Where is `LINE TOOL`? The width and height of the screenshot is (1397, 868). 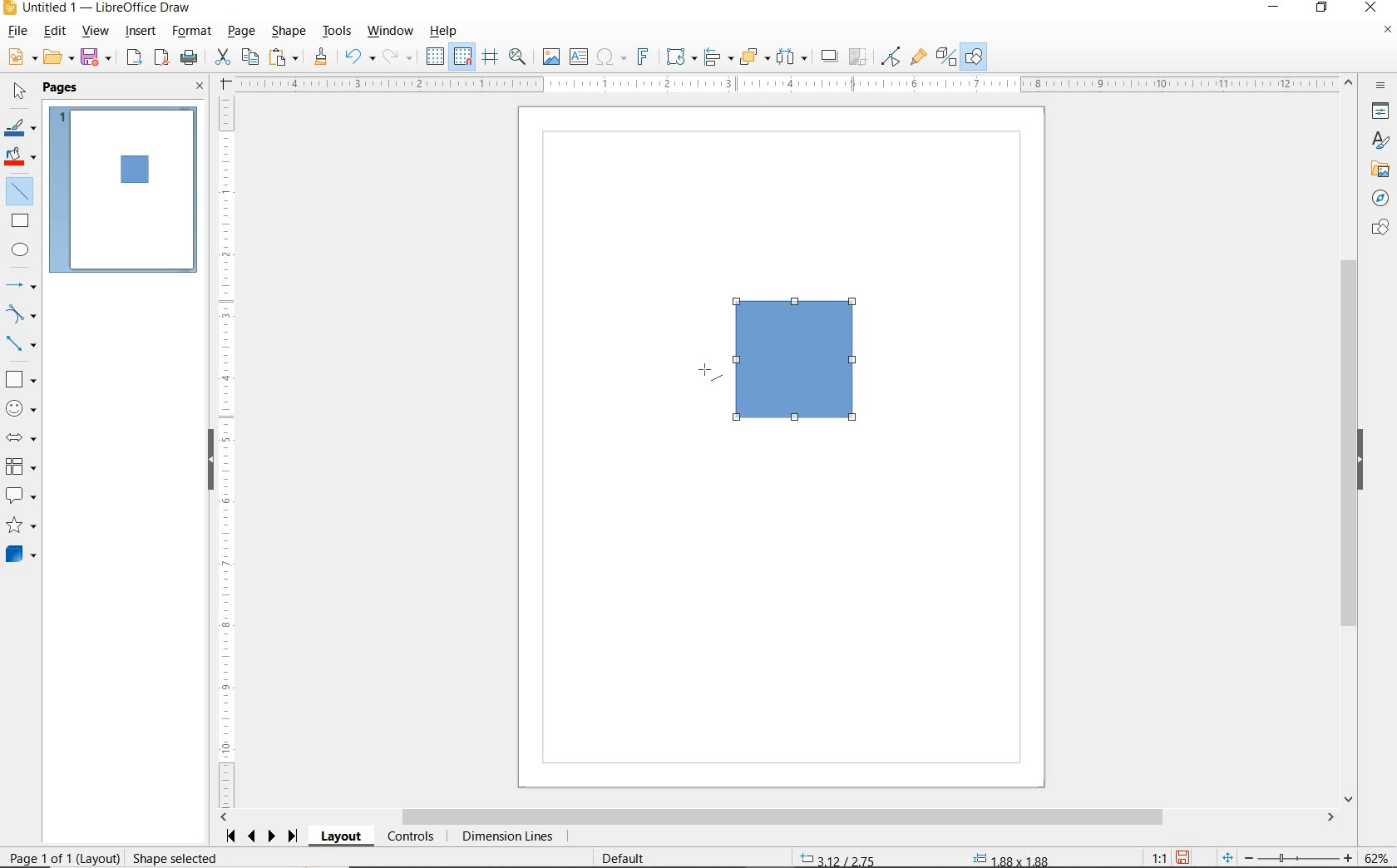
LINE TOOL is located at coordinates (710, 373).